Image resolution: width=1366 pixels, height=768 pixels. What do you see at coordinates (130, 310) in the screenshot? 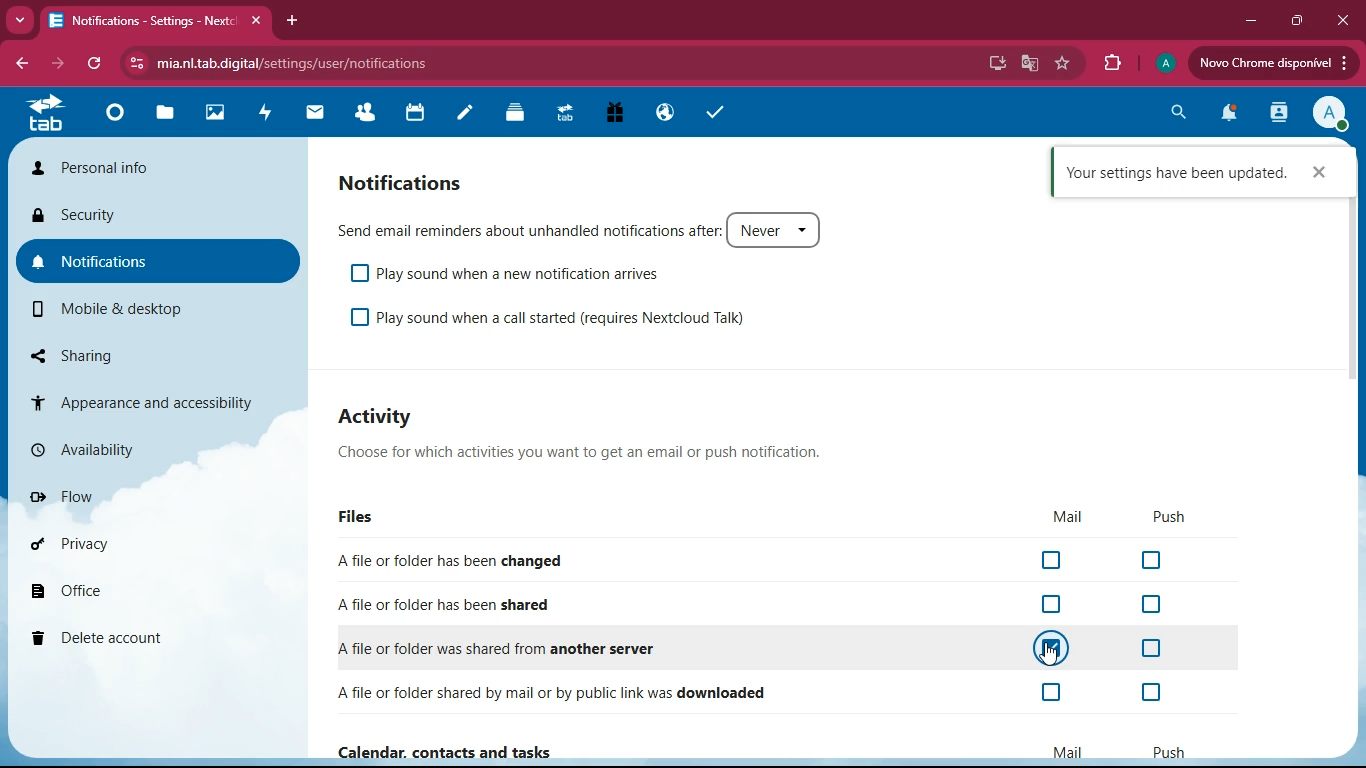
I see `mobile` at bounding box center [130, 310].